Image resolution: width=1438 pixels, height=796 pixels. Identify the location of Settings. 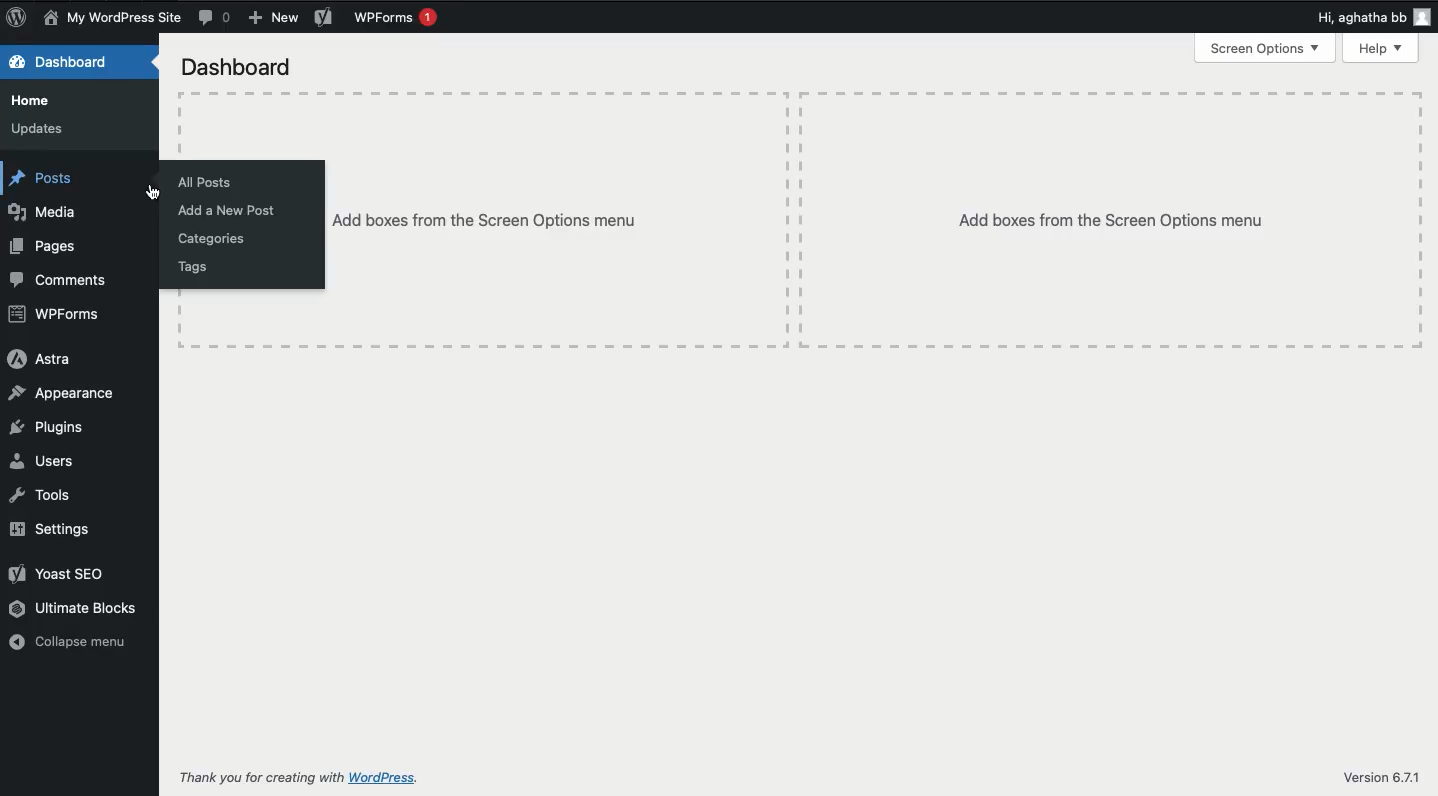
(59, 532).